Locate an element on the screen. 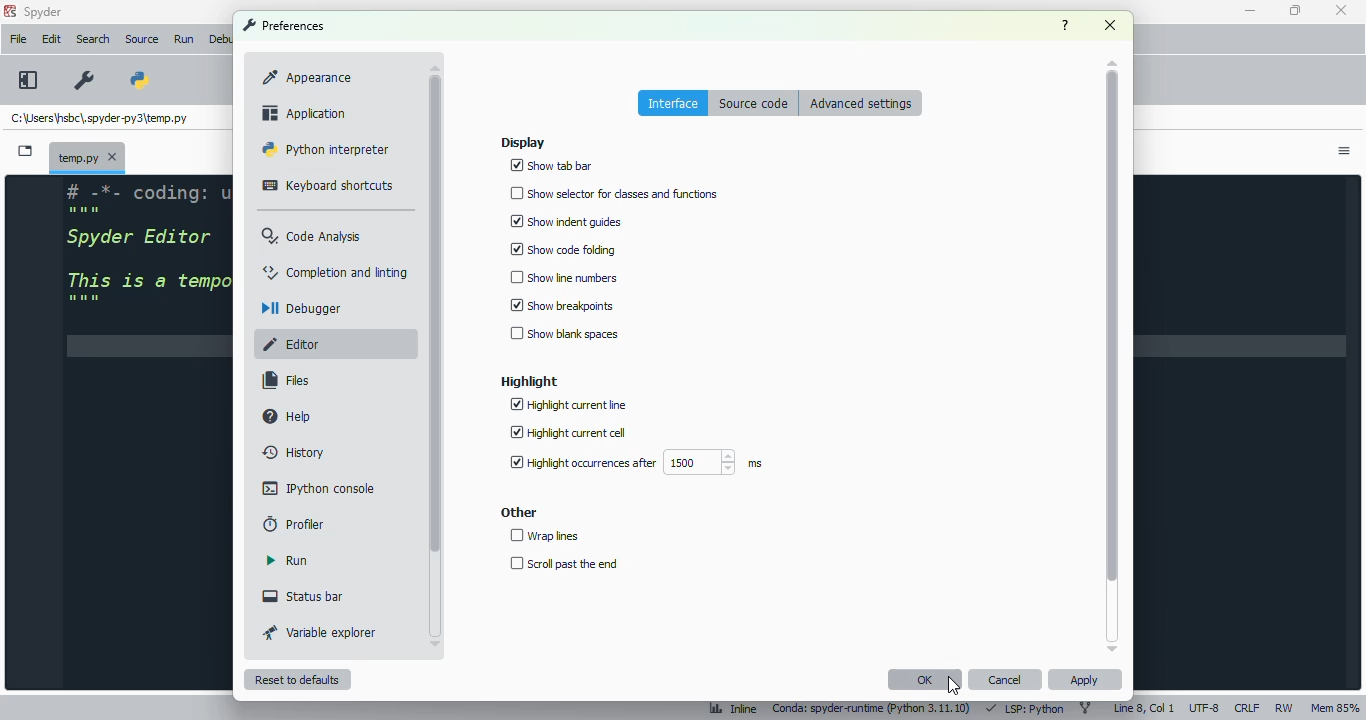 The width and height of the screenshot is (1366, 720). temporary file is located at coordinates (98, 120).